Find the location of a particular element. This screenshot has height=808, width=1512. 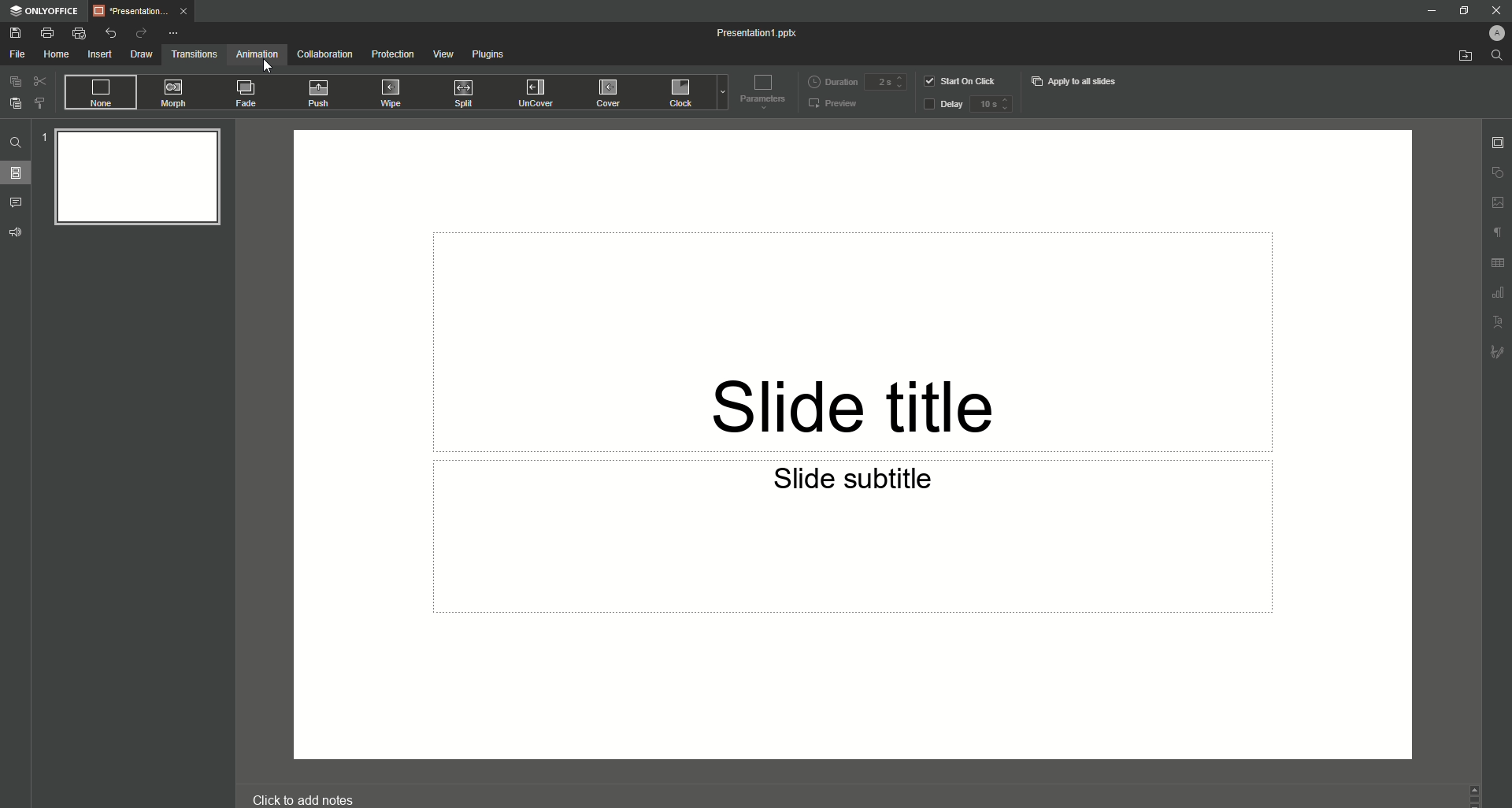

Comments is located at coordinates (17, 202).